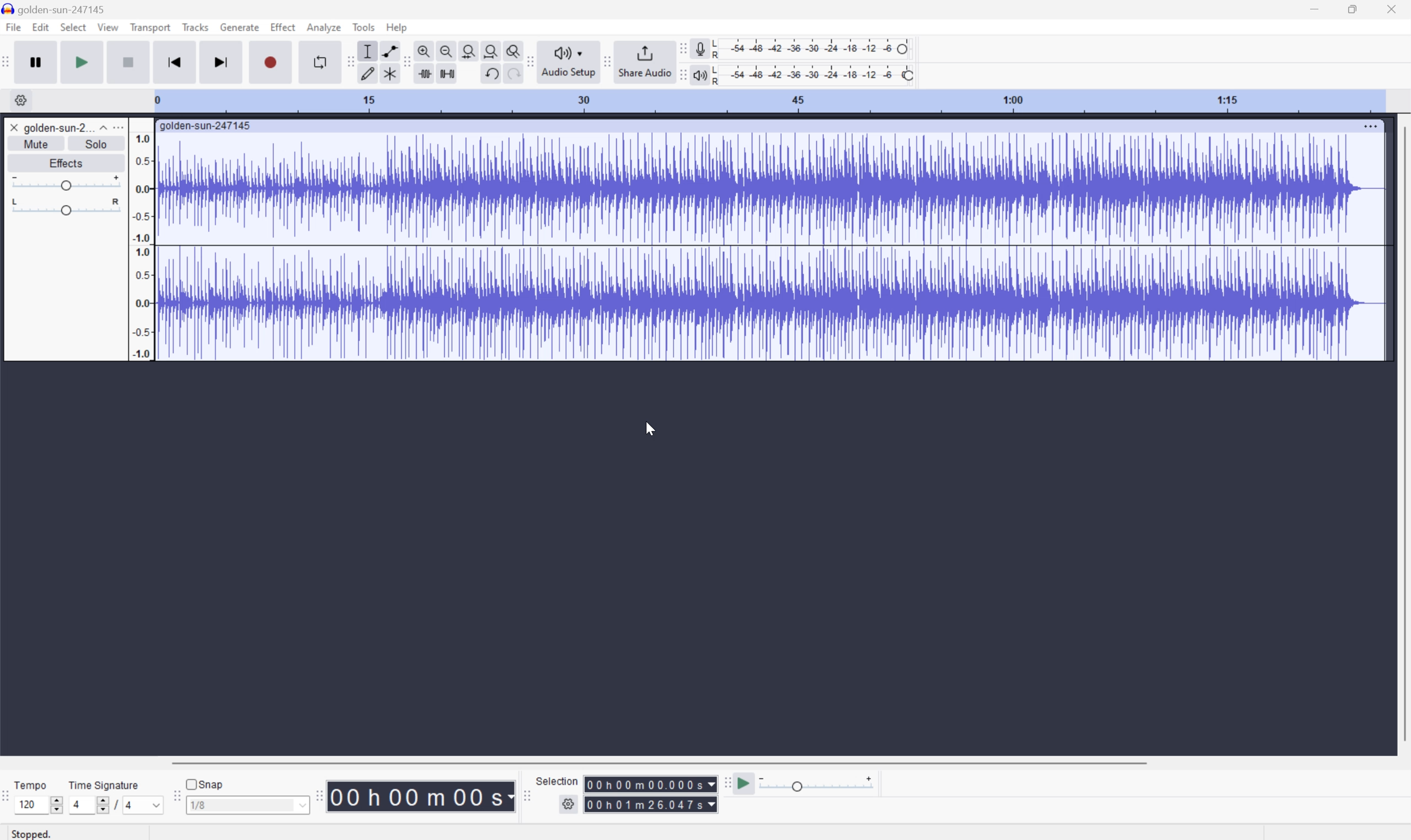 The width and height of the screenshot is (1411, 840). Describe the element at coordinates (559, 781) in the screenshot. I see `Selection` at that location.